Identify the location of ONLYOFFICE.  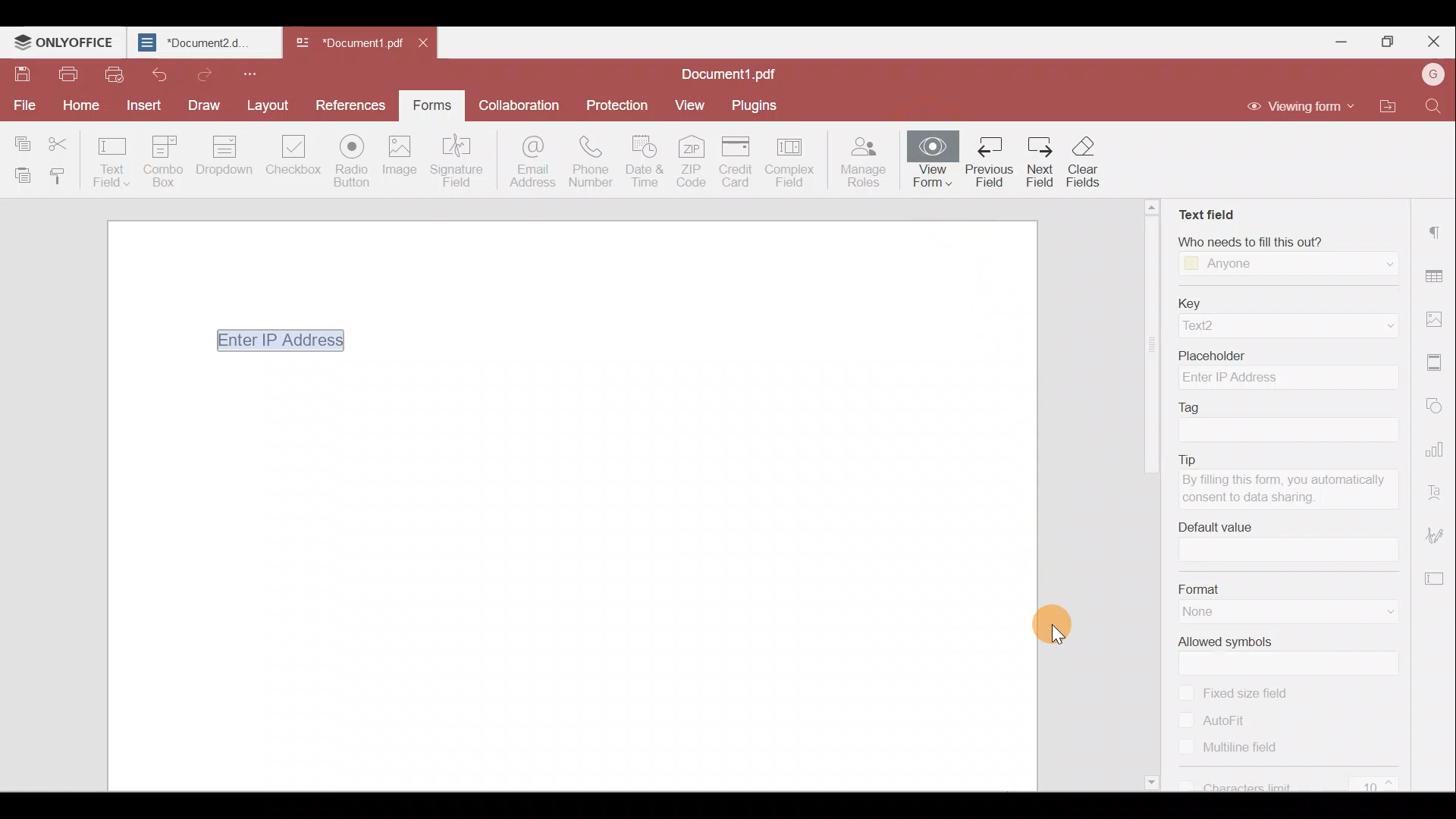
(64, 42).